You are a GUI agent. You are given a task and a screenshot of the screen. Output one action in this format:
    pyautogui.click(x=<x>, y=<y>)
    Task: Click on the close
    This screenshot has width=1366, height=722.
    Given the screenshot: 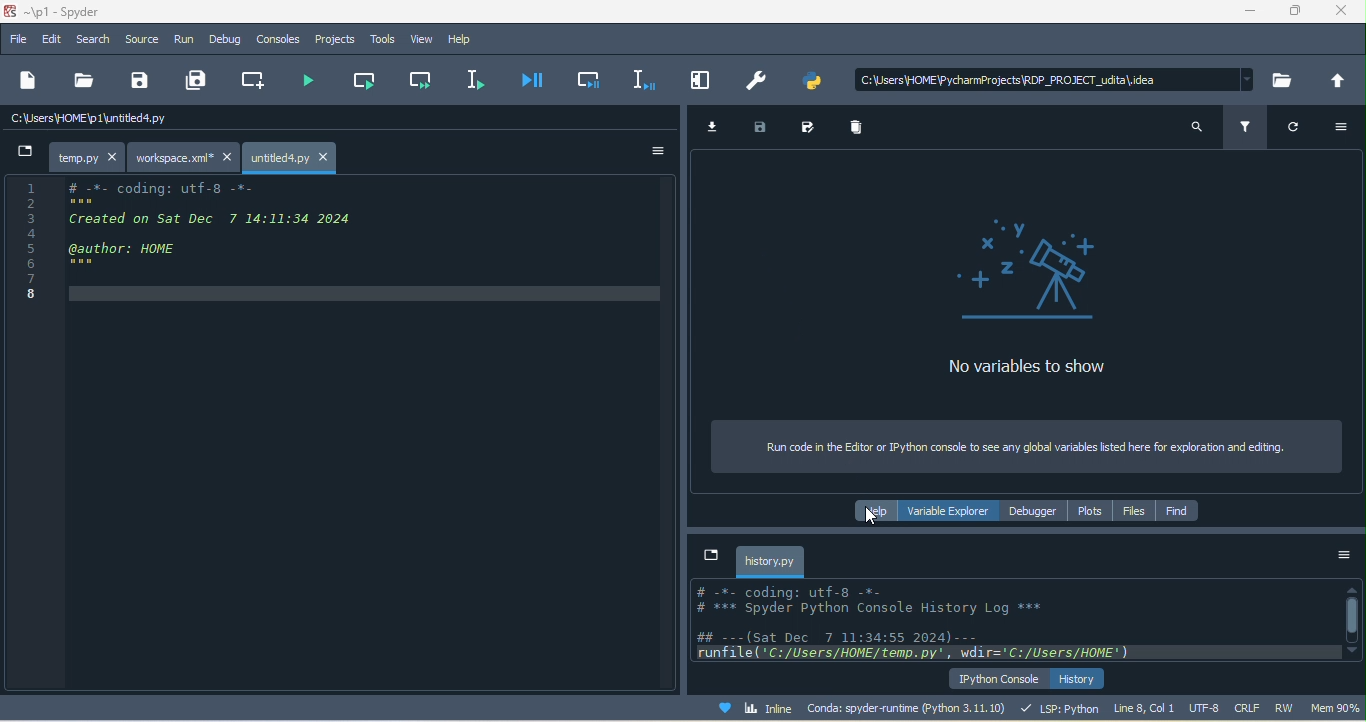 What is the action you would take?
    pyautogui.click(x=1343, y=12)
    